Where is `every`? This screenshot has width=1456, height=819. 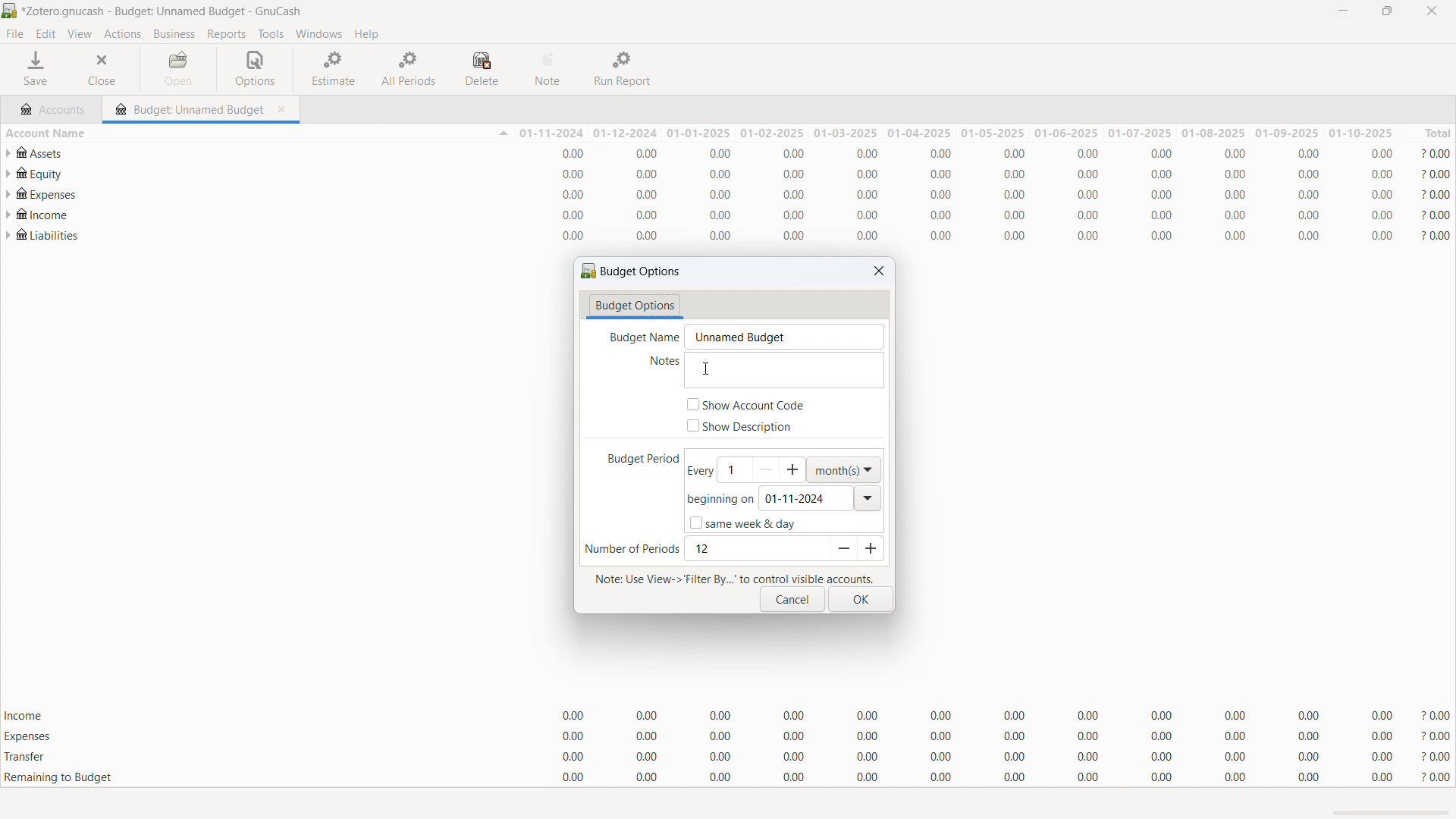 every is located at coordinates (698, 471).